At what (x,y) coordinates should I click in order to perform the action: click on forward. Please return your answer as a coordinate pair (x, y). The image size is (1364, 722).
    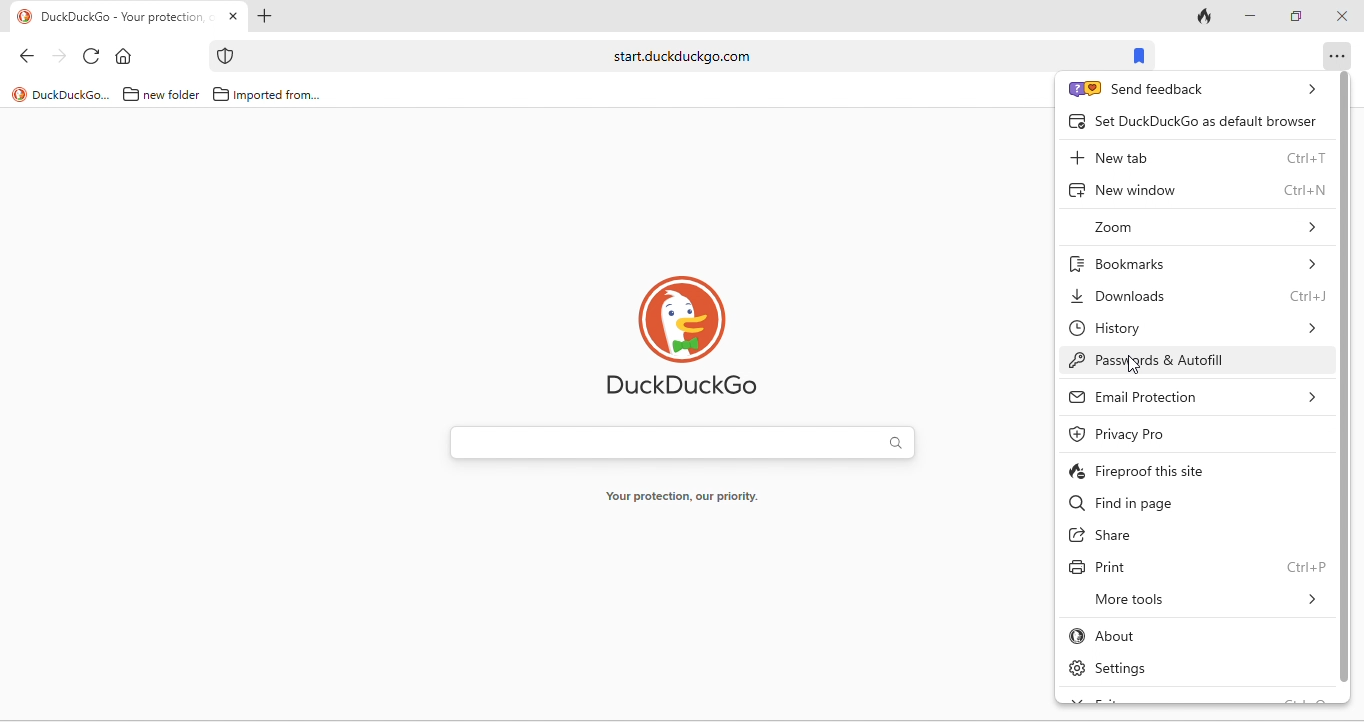
    Looking at the image, I should click on (58, 56).